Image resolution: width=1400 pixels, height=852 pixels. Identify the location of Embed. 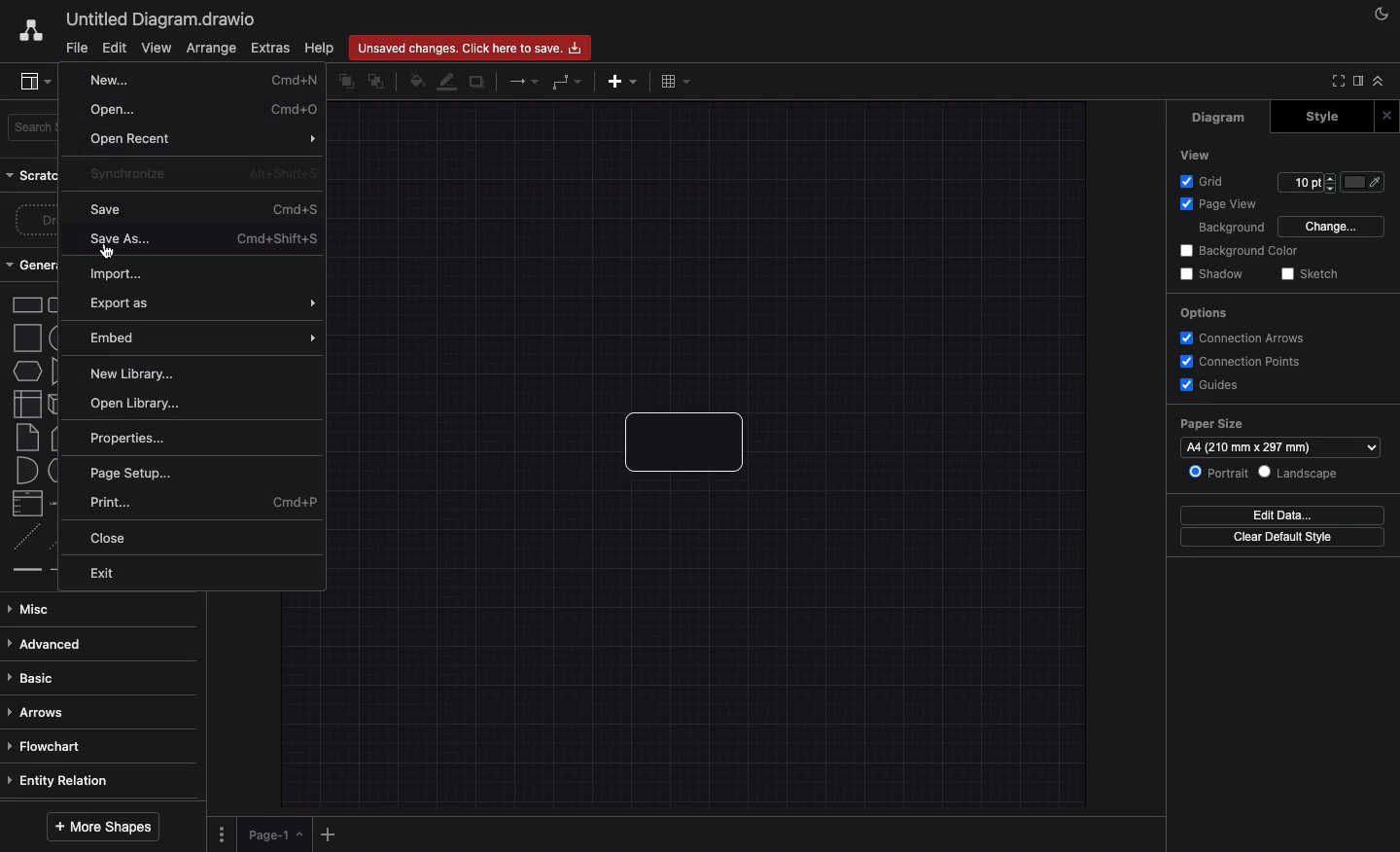
(207, 337).